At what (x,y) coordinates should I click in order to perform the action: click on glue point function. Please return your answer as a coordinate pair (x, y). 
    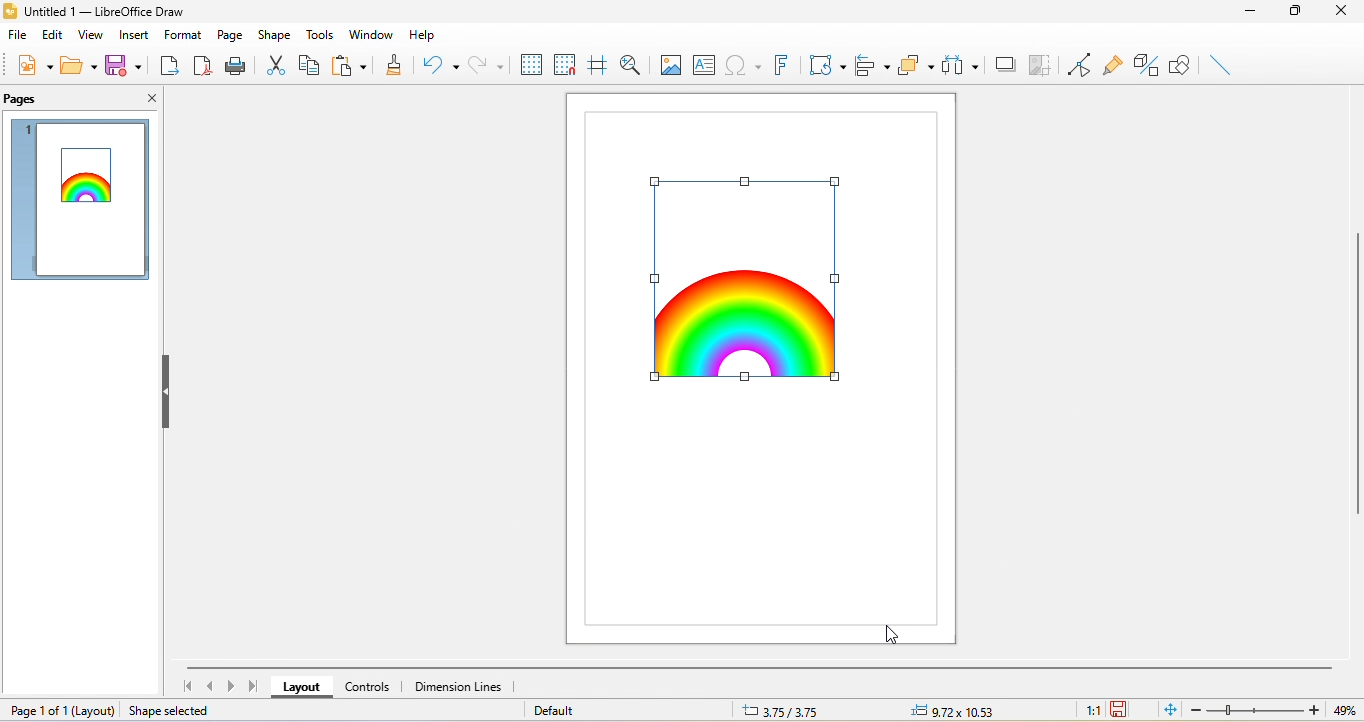
    Looking at the image, I should click on (1112, 63).